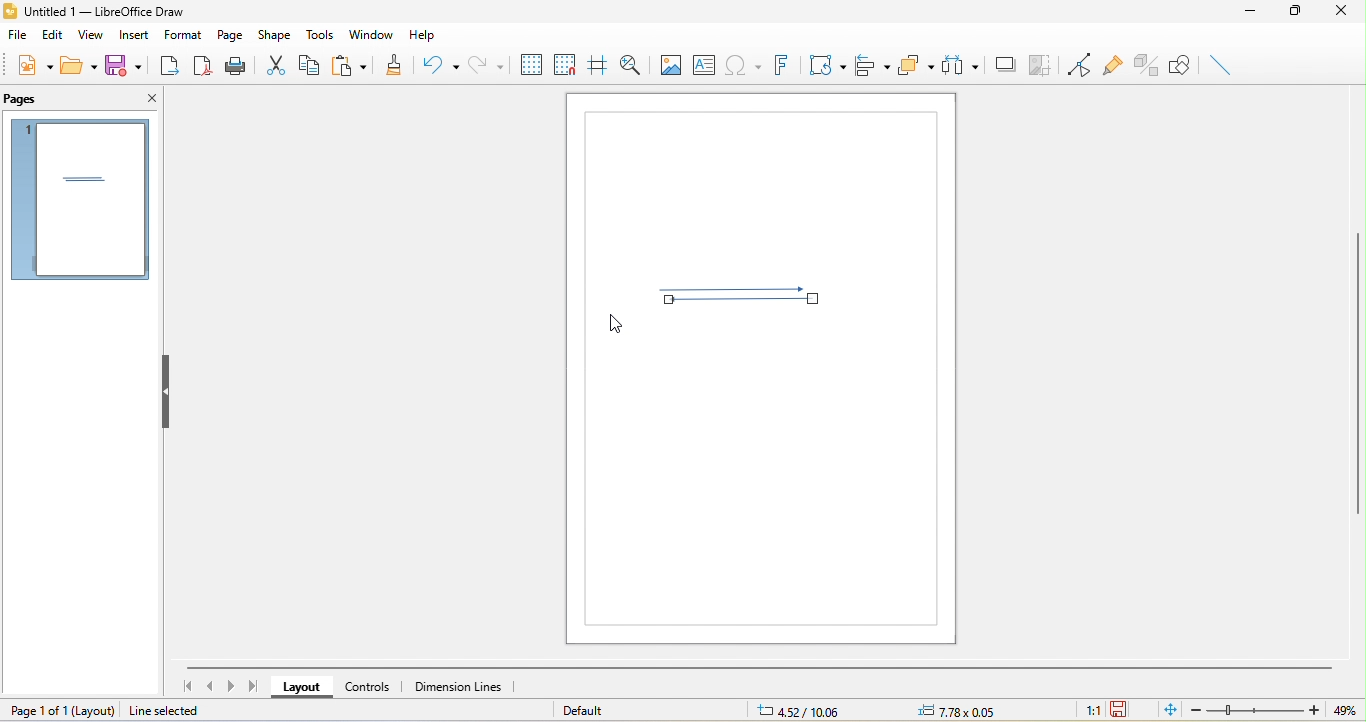  Describe the element at coordinates (29, 99) in the screenshot. I see `pages` at that location.